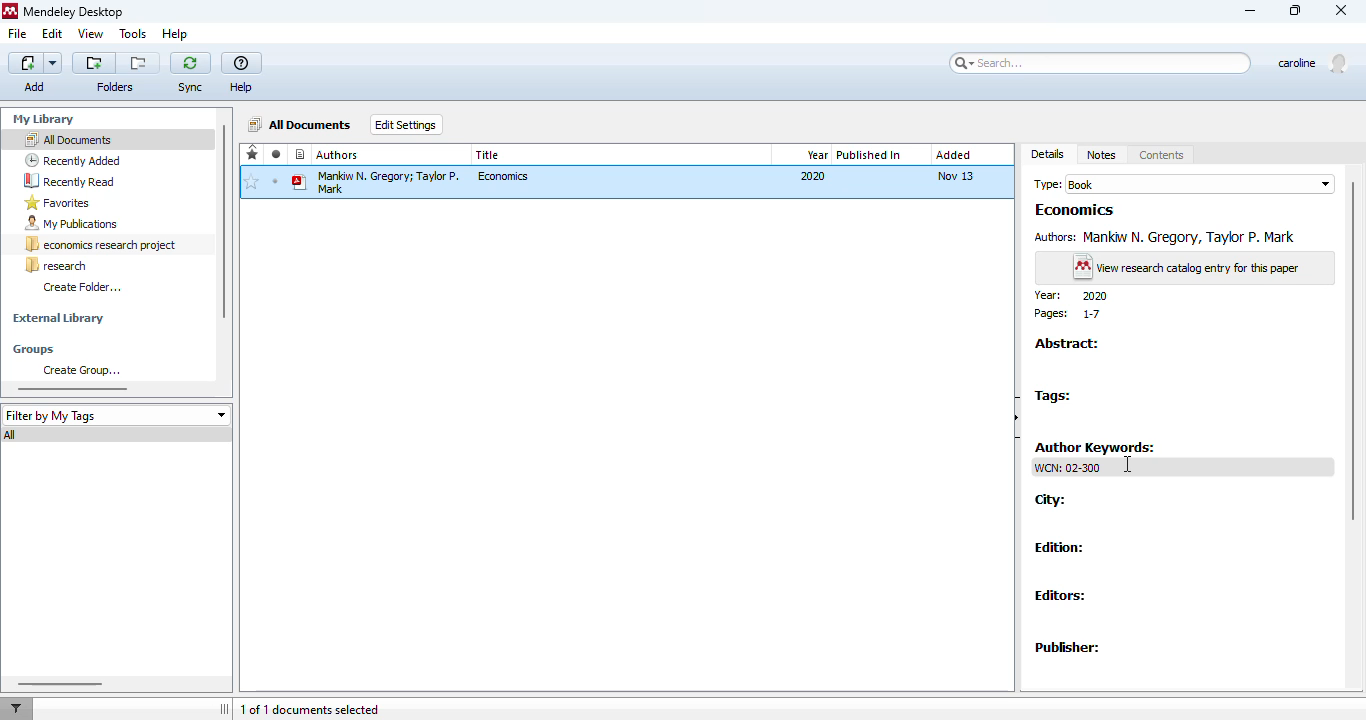 The height and width of the screenshot is (720, 1366). What do you see at coordinates (956, 174) in the screenshot?
I see `Nov 13` at bounding box center [956, 174].